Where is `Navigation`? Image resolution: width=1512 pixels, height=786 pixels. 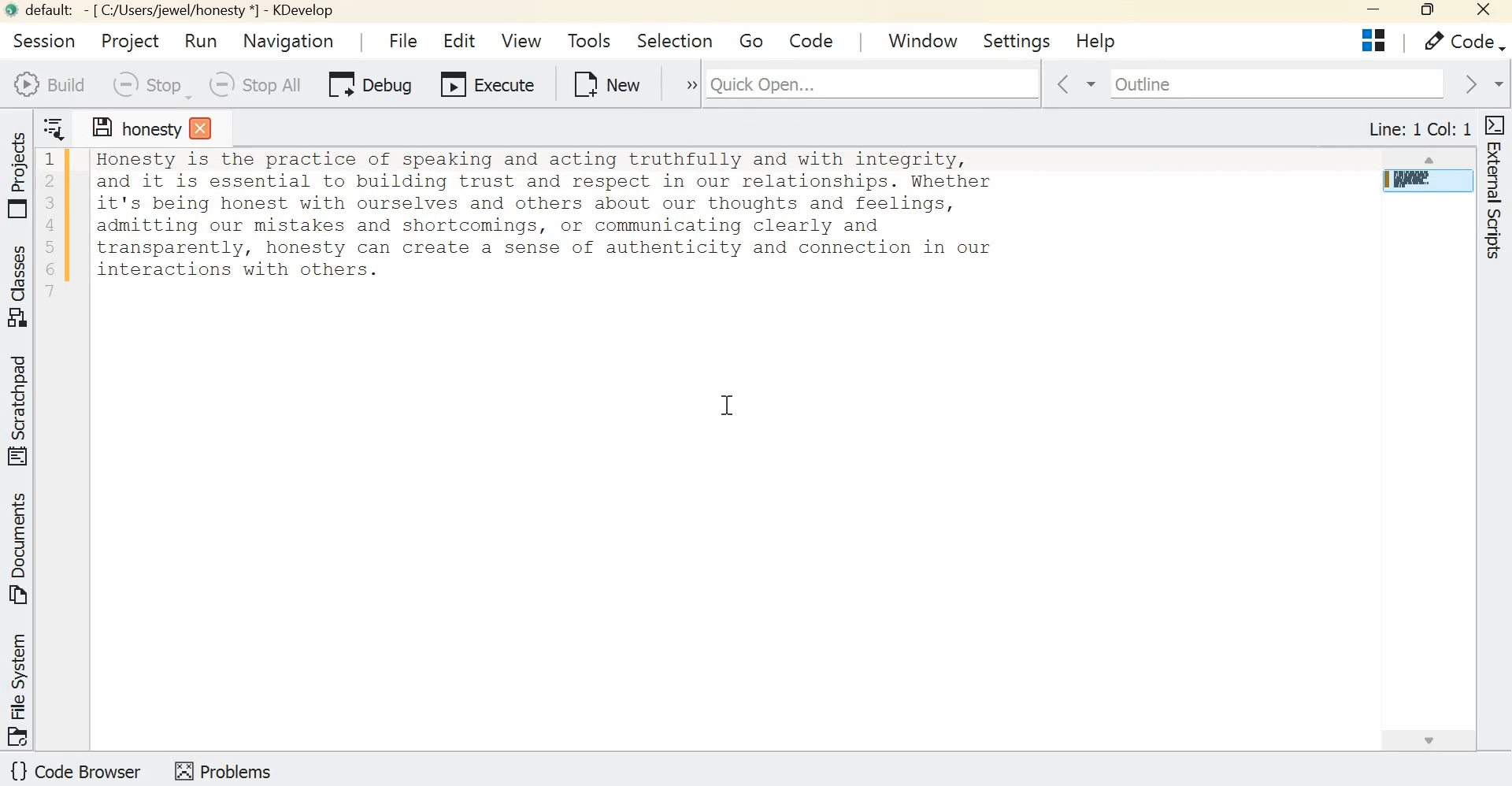 Navigation is located at coordinates (290, 40).